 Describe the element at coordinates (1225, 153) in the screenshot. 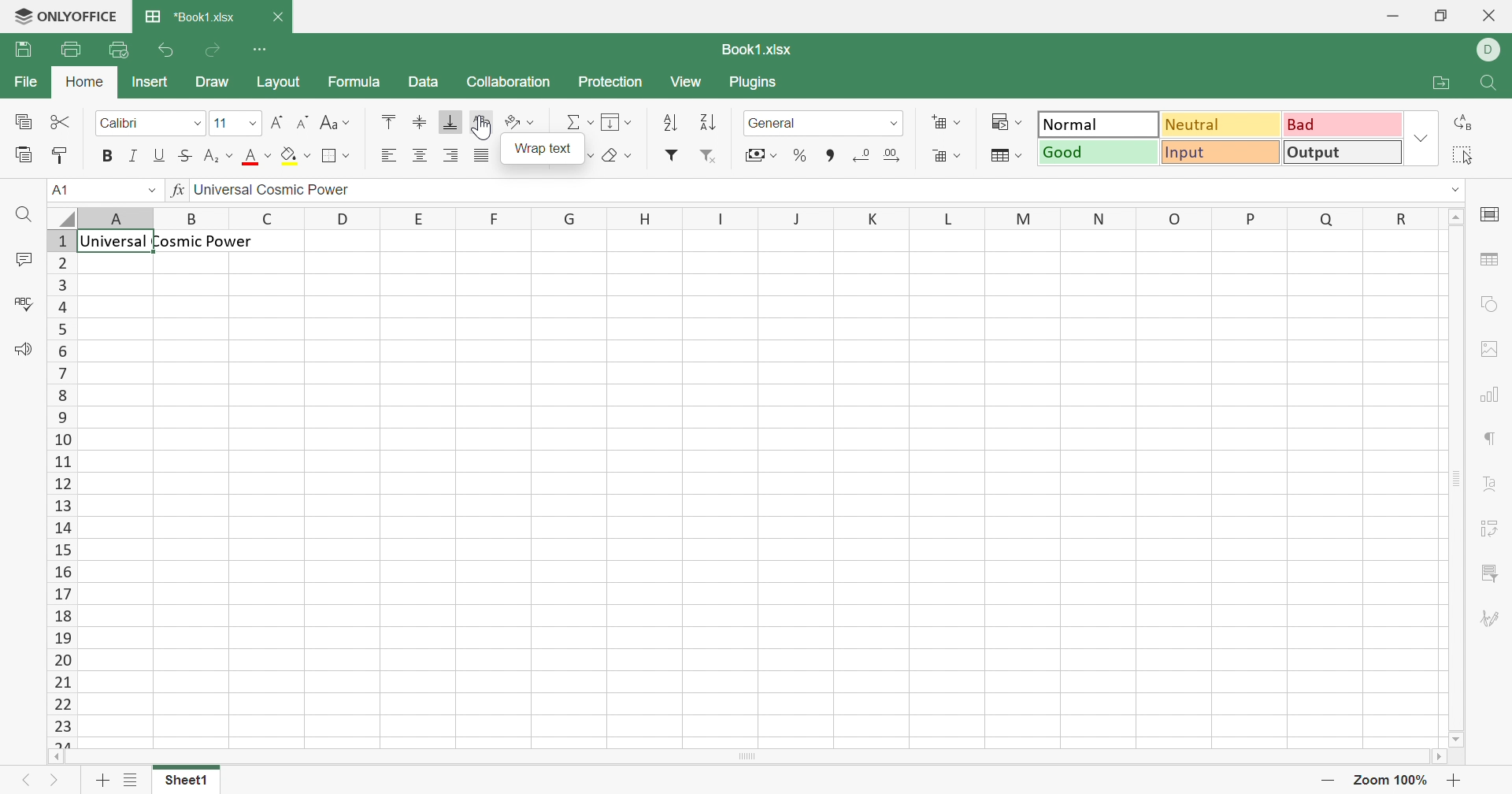

I see `Input` at that location.